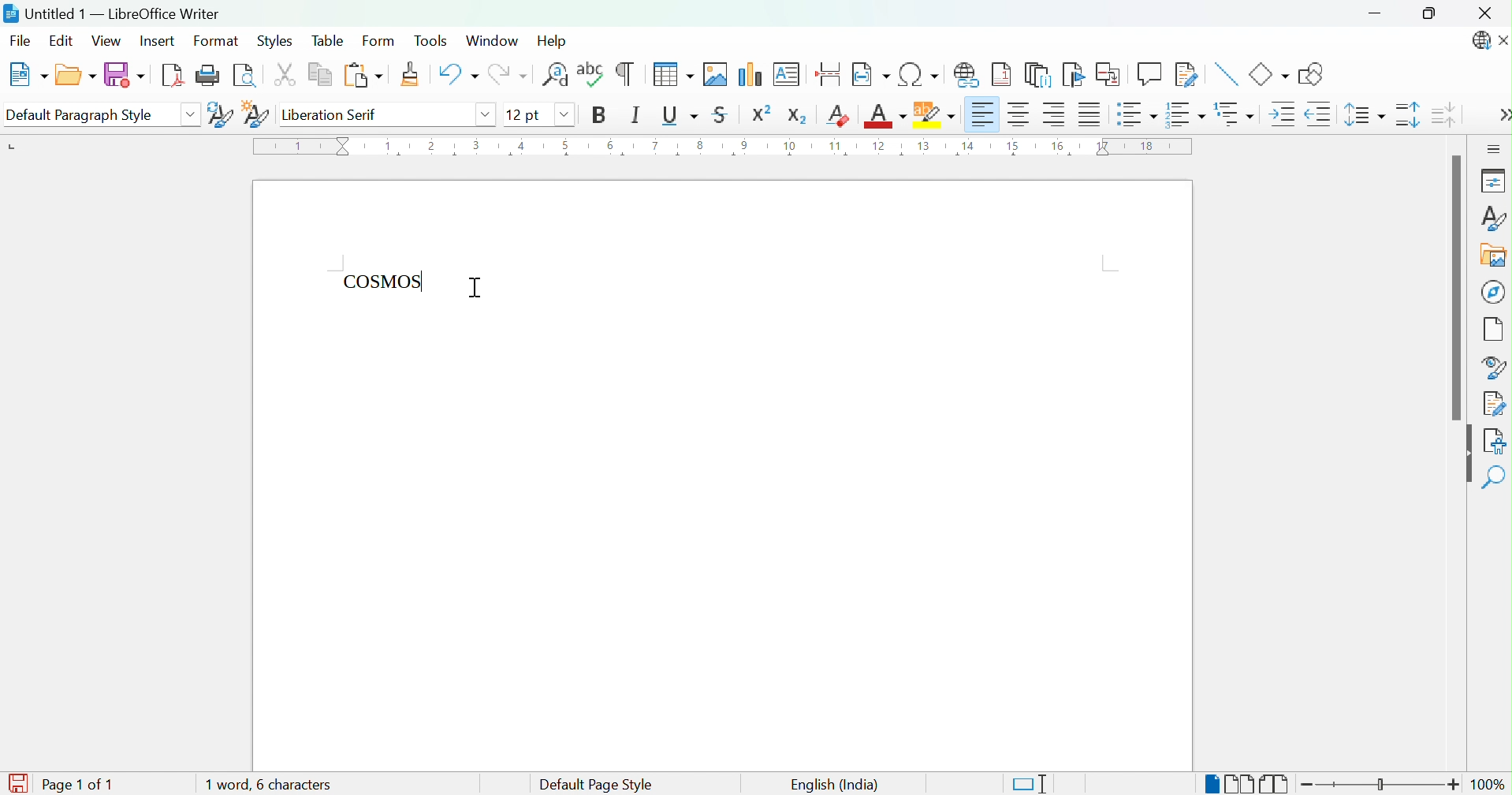 Image resolution: width=1512 pixels, height=795 pixels. Describe the element at coordinates (750, 73) in the screenshot. I see `Insert Chart` at that location.